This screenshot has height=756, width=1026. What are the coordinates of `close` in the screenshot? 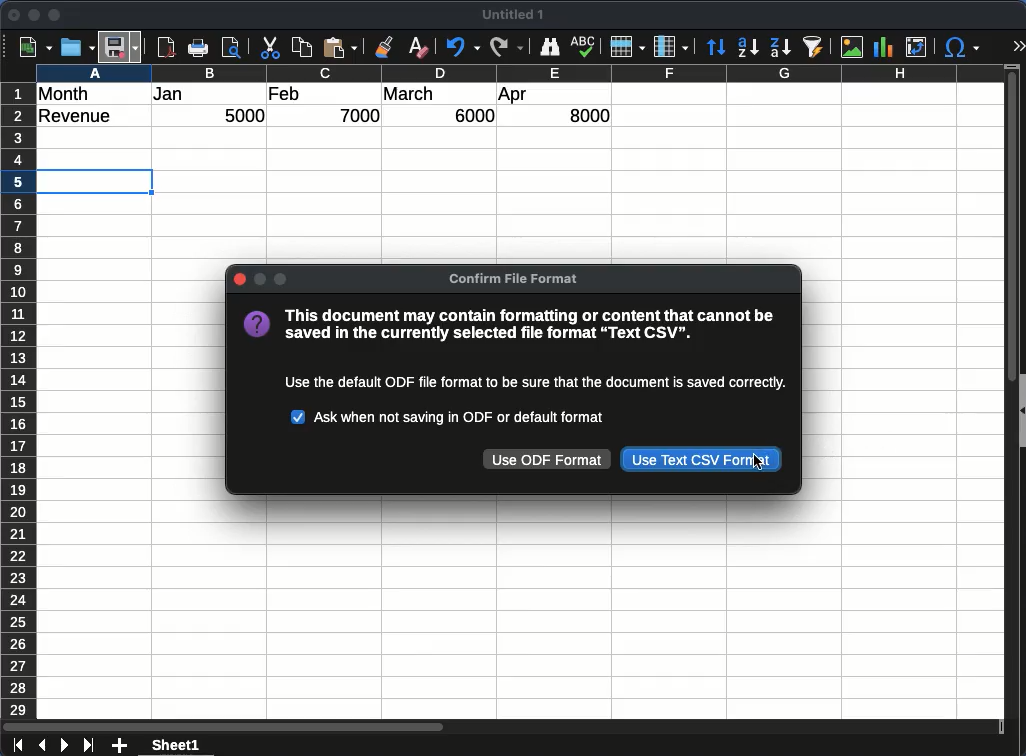 It's located at (239, 279).